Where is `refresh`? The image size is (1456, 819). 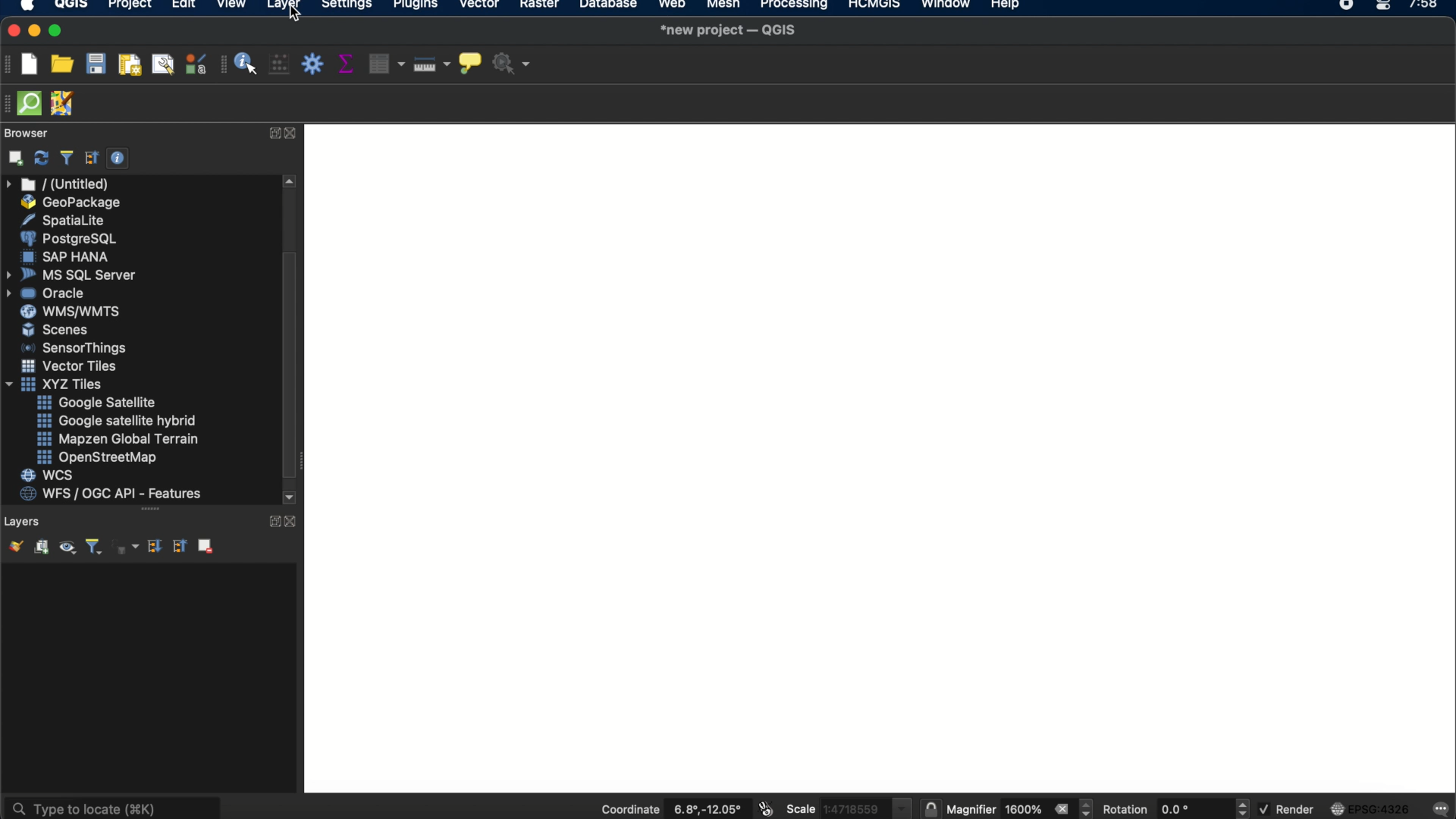 refresh is located at coordinates (42, 158).